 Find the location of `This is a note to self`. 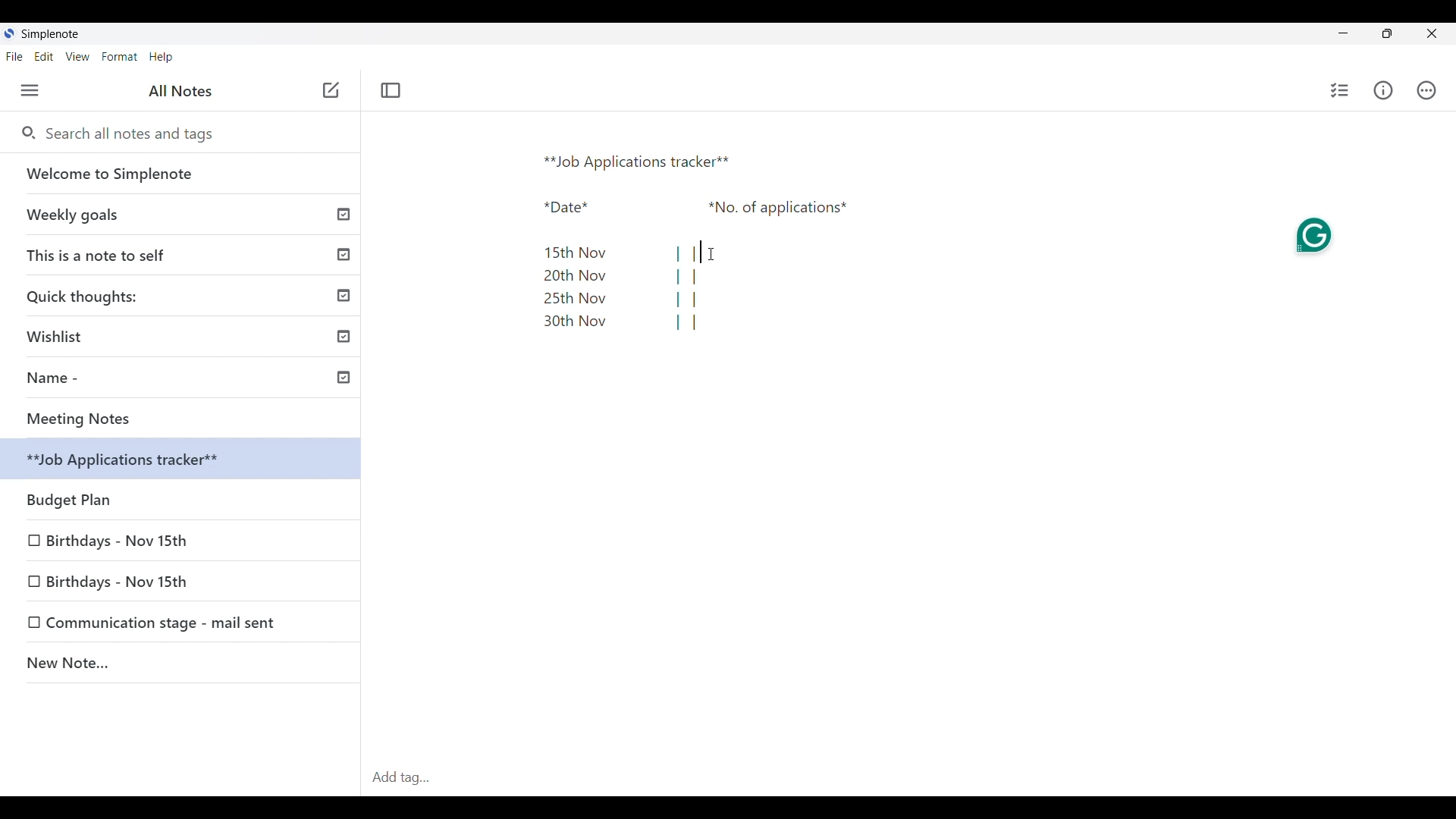

This is a note to self is located at coordinates (183, 254).